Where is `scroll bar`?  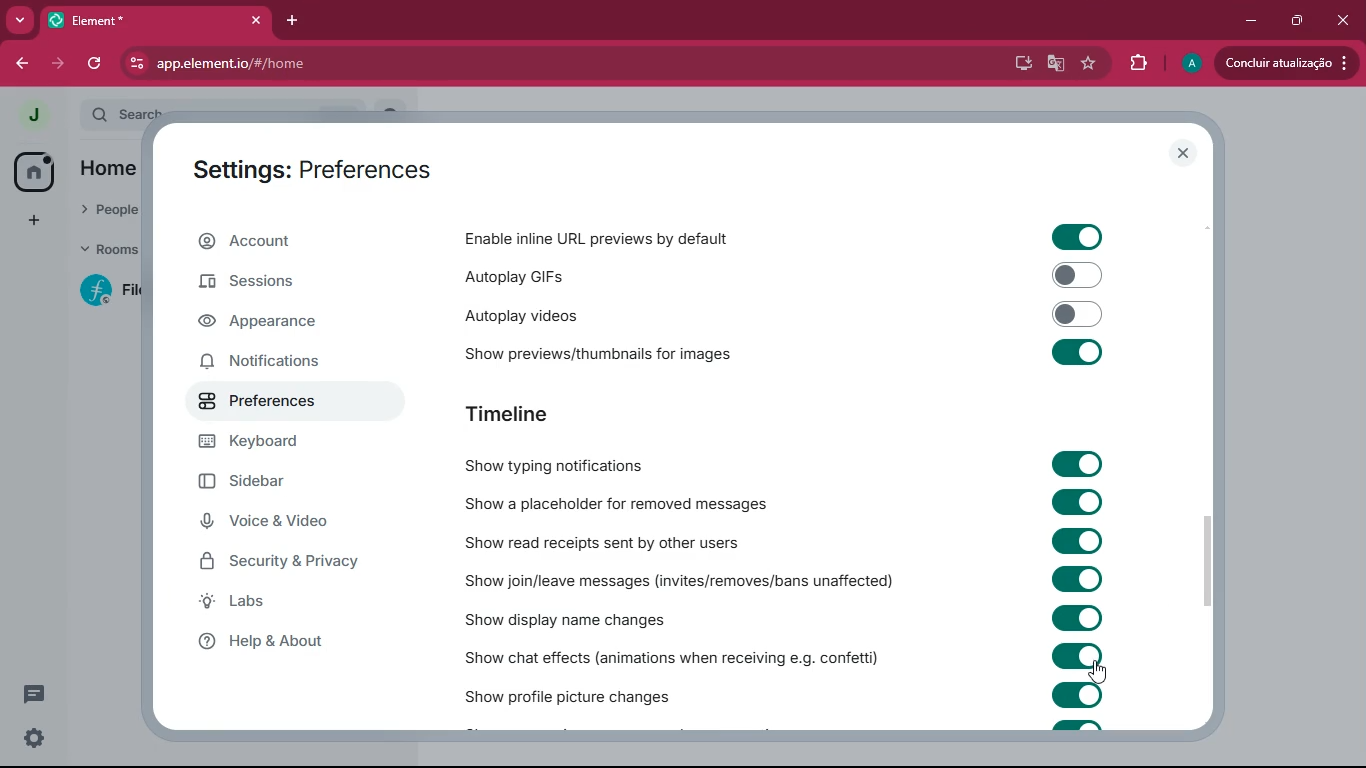
scroll bar is located at coordinates (1209, 556).